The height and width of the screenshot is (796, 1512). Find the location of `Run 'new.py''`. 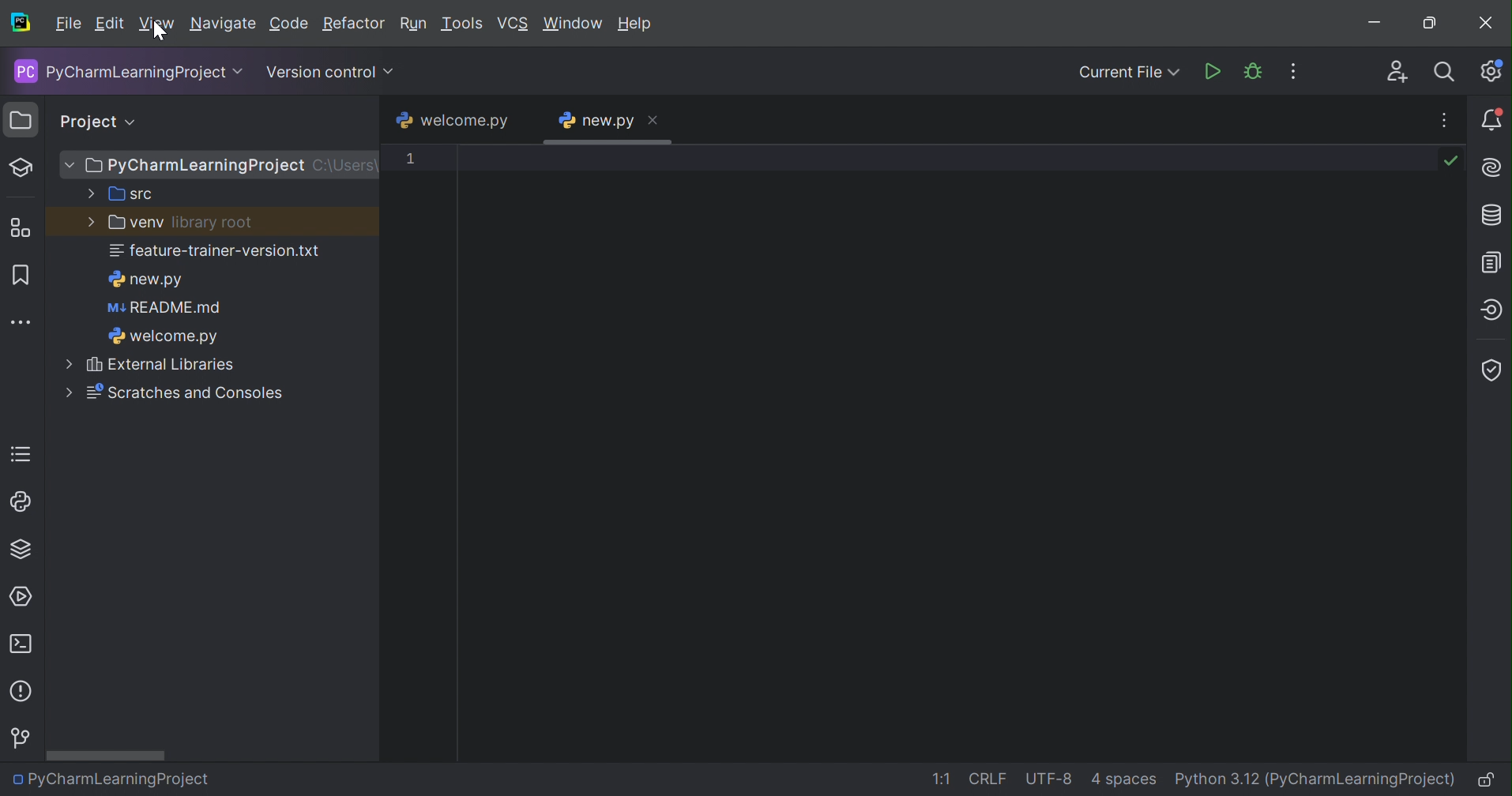

Run 'new.py'' is located at coordinates (1213, 71).